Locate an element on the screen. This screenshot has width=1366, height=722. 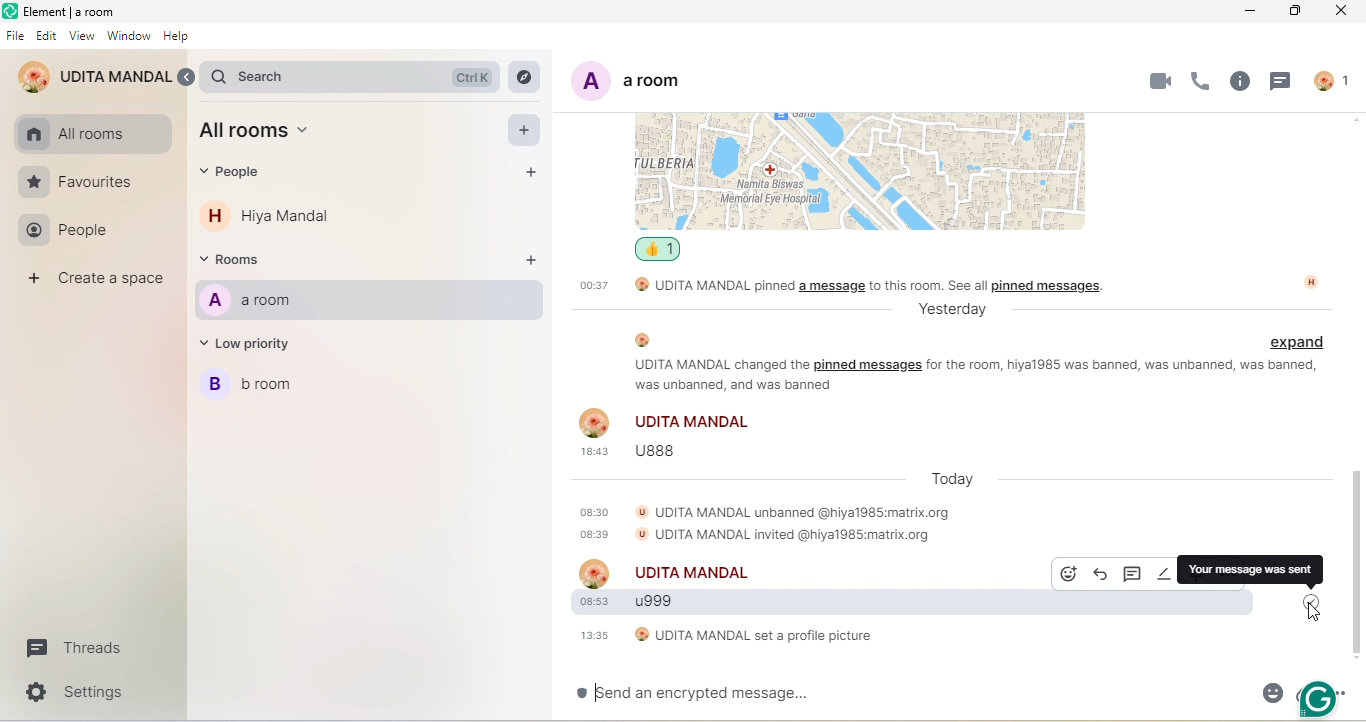
Chat is located at coordinates (1136, 574).